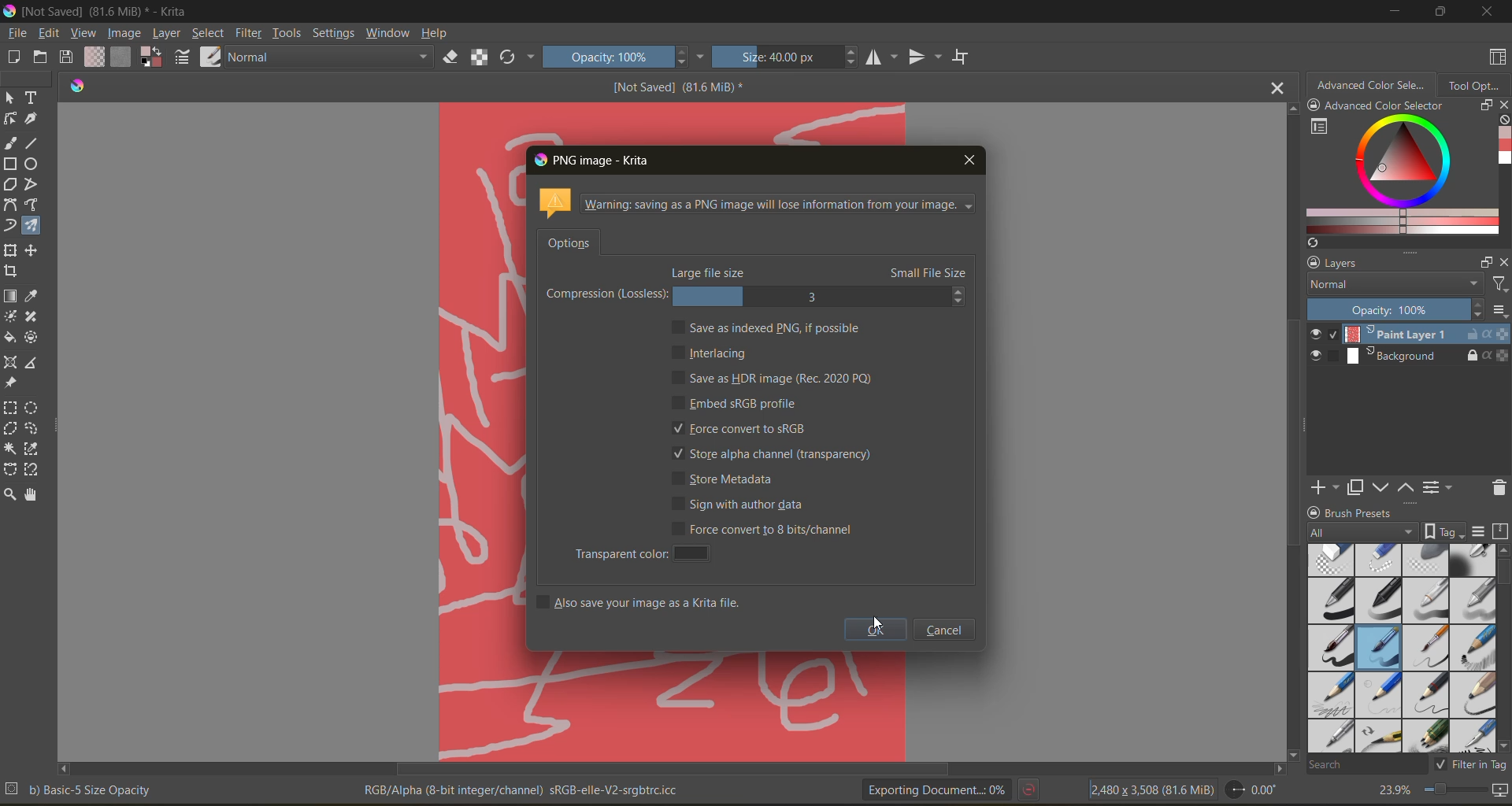  I want to click on image, so click(126, 33).